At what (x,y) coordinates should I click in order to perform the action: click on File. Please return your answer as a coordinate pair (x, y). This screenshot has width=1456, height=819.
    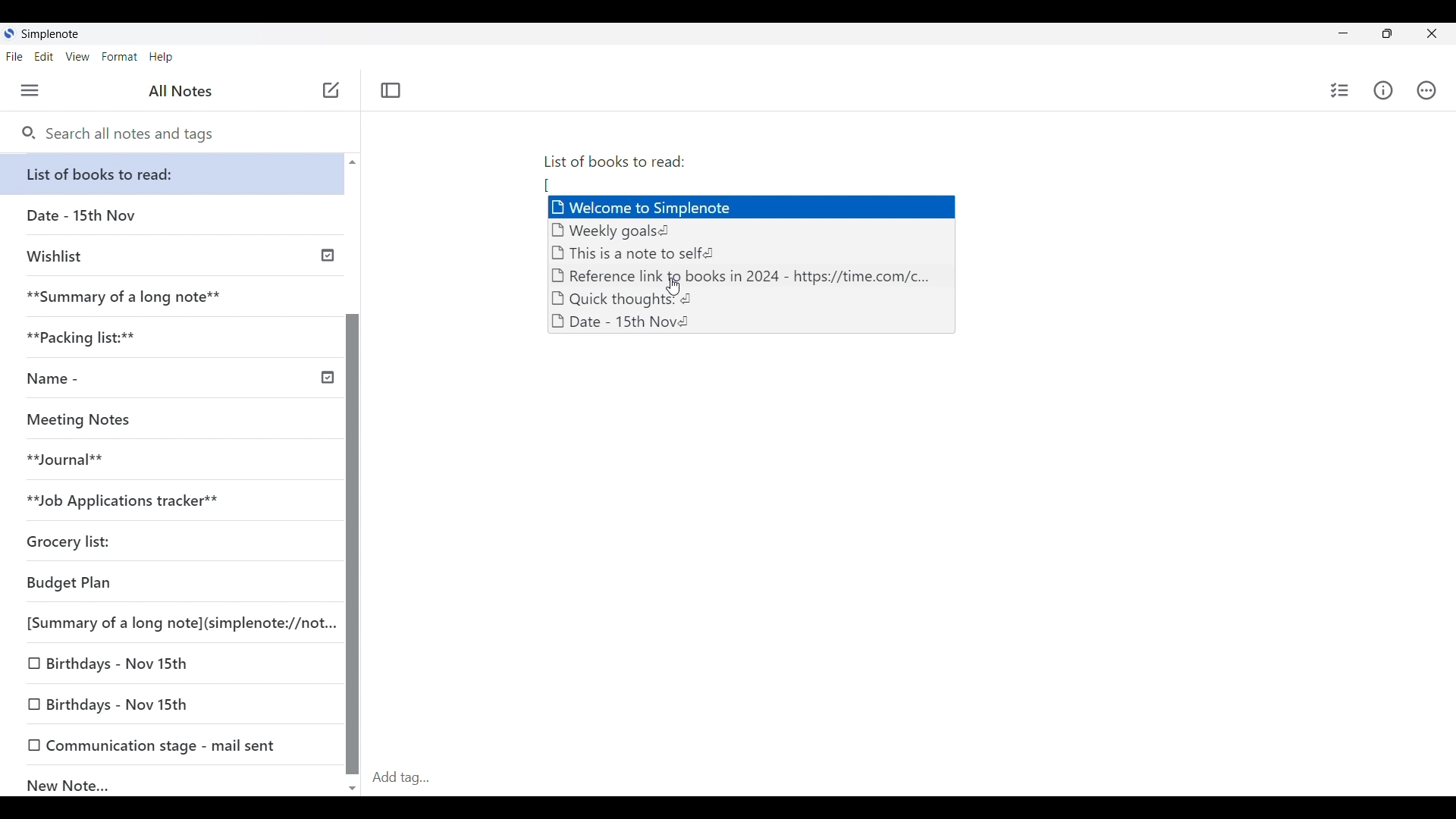
    Looking at the image, I should click on (14, 57).